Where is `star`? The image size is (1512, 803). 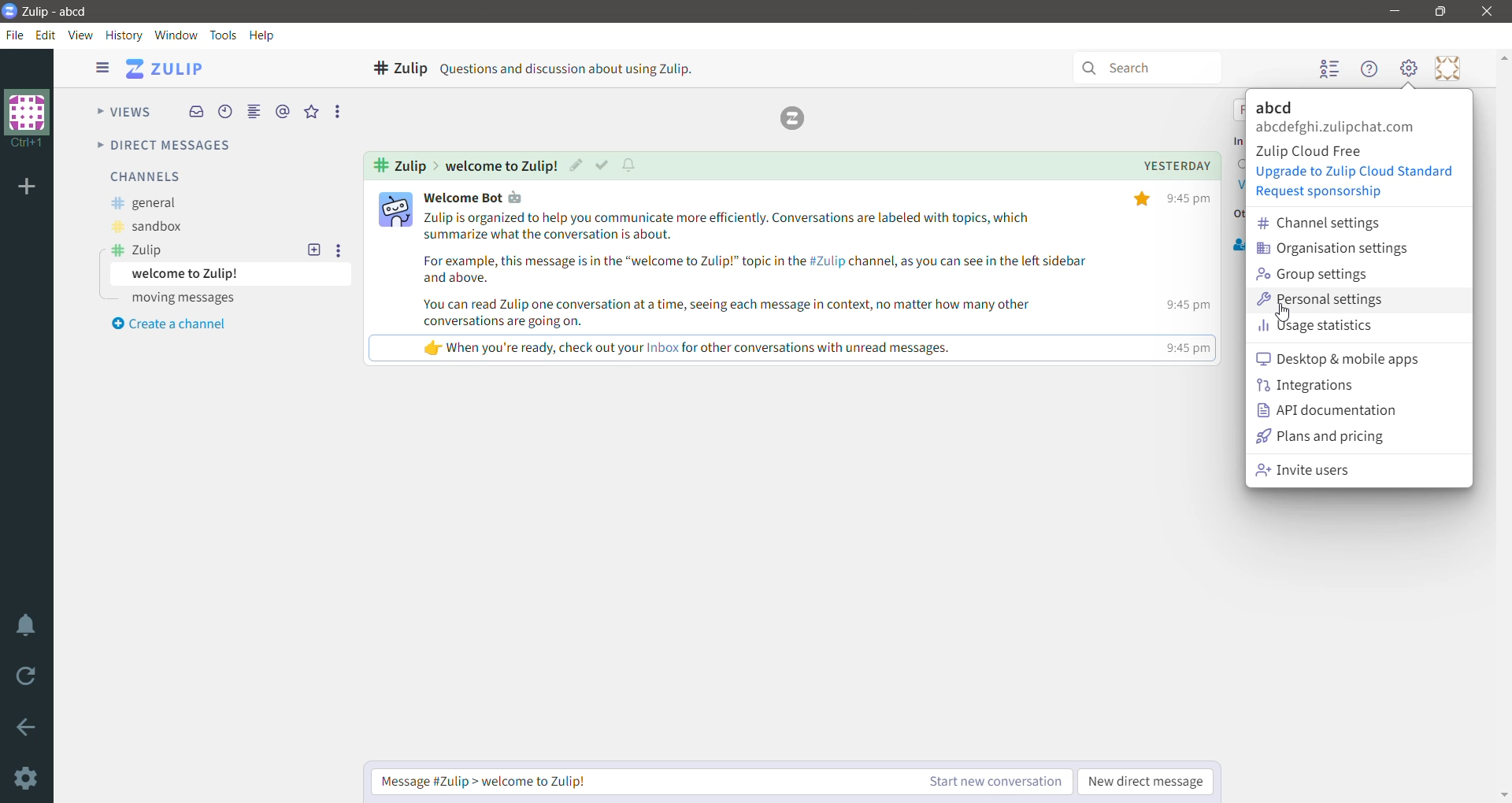 star is located at coordinates (1141, 199).